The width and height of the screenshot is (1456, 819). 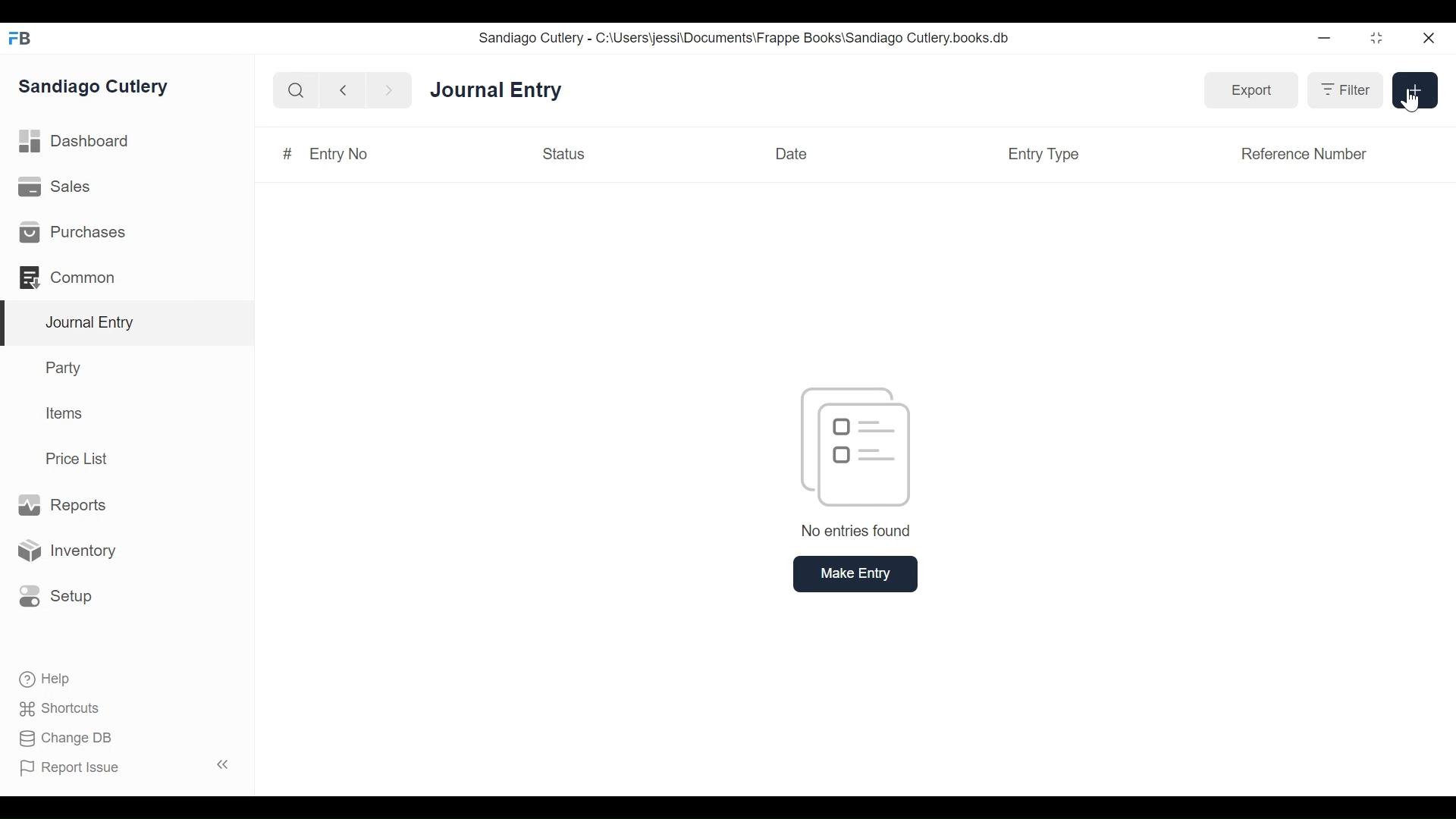 I want to click on minimize, so click(x=1325, y=37).